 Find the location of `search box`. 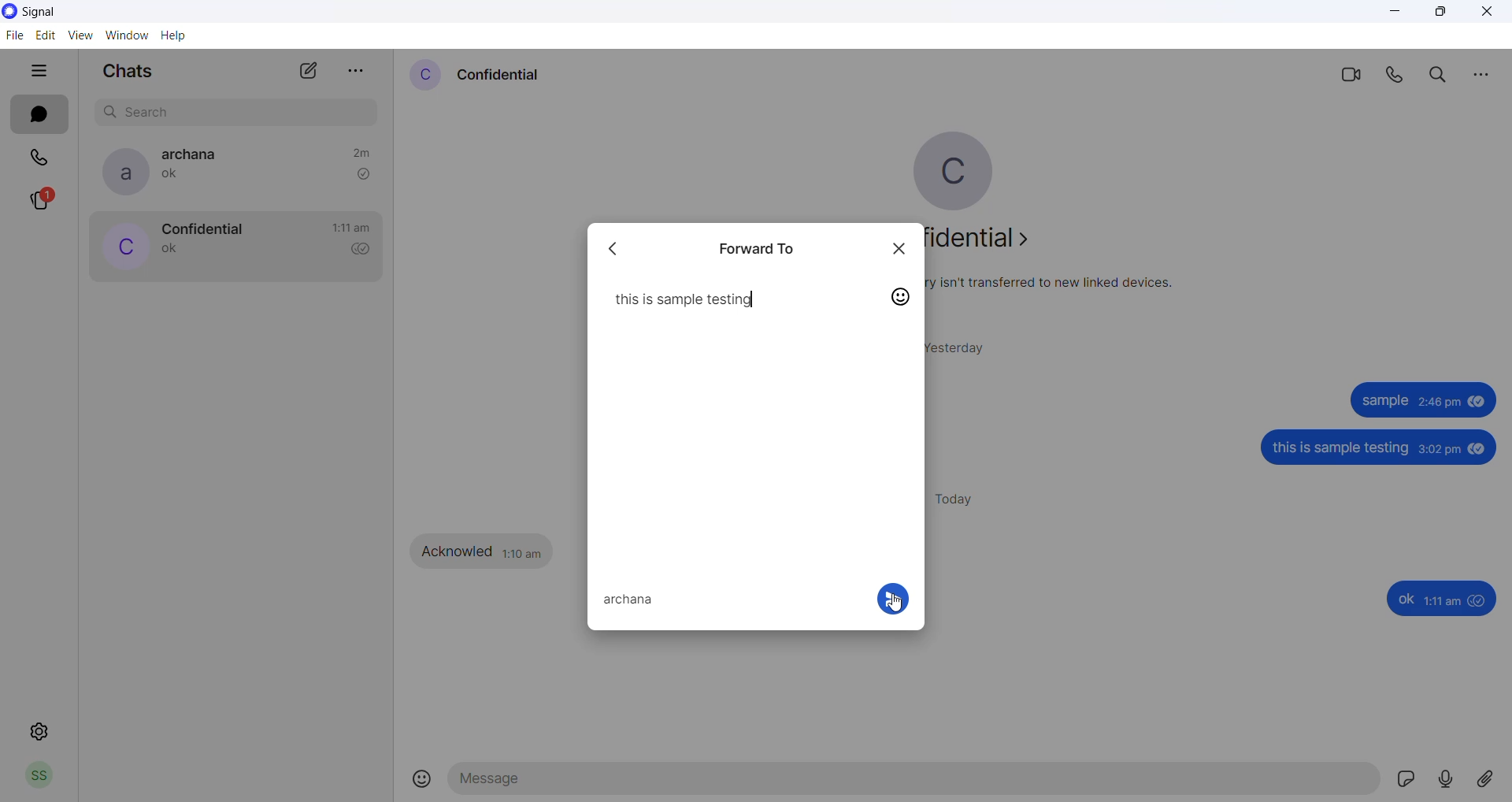

search box is located at coordinates (240, 110).